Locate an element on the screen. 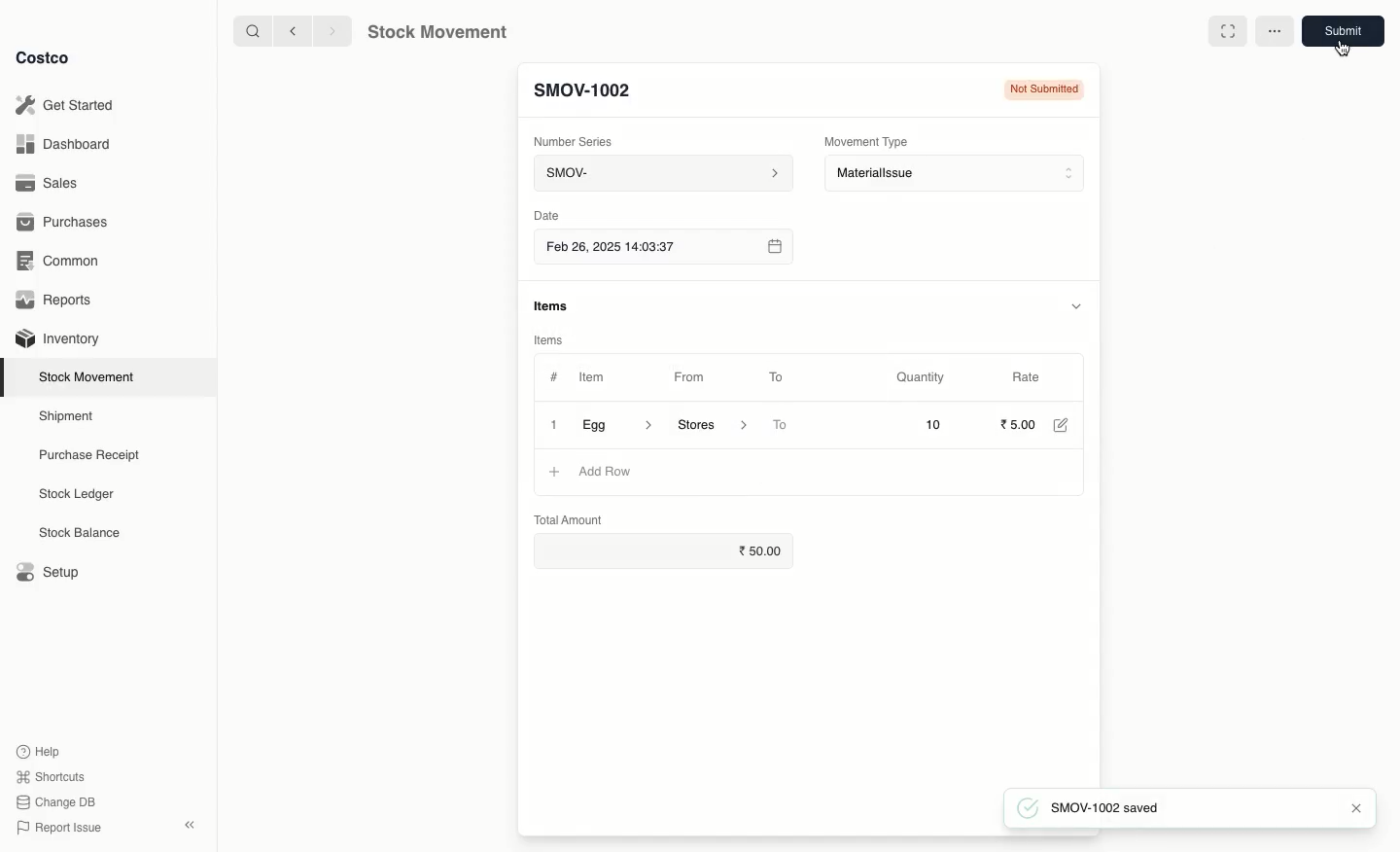 Image resolution: width=1400 pixels, height=852 pixels. New Entry is located at coordinates (579, 94).